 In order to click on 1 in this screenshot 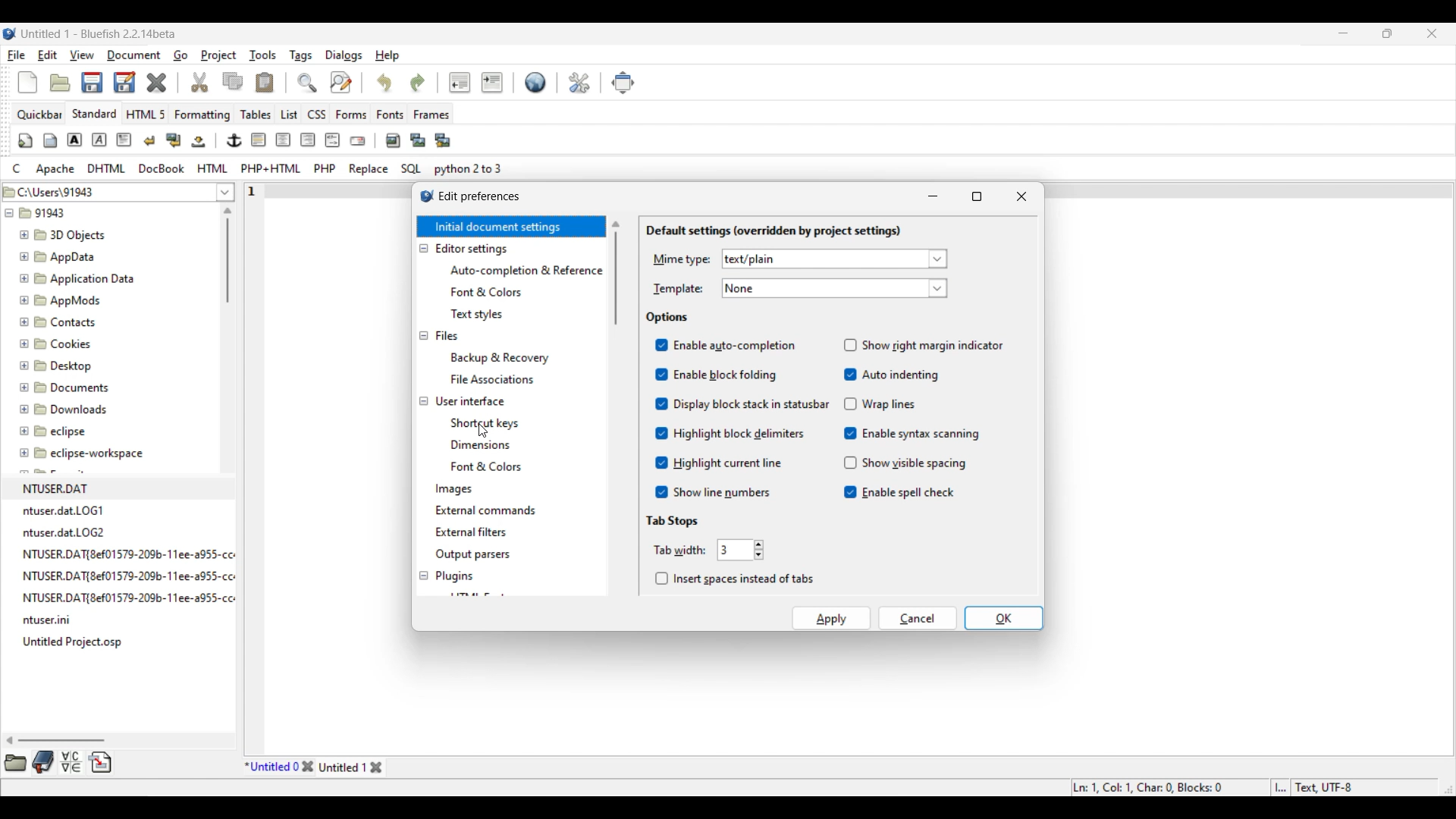, I will do `click(254, 188)`.